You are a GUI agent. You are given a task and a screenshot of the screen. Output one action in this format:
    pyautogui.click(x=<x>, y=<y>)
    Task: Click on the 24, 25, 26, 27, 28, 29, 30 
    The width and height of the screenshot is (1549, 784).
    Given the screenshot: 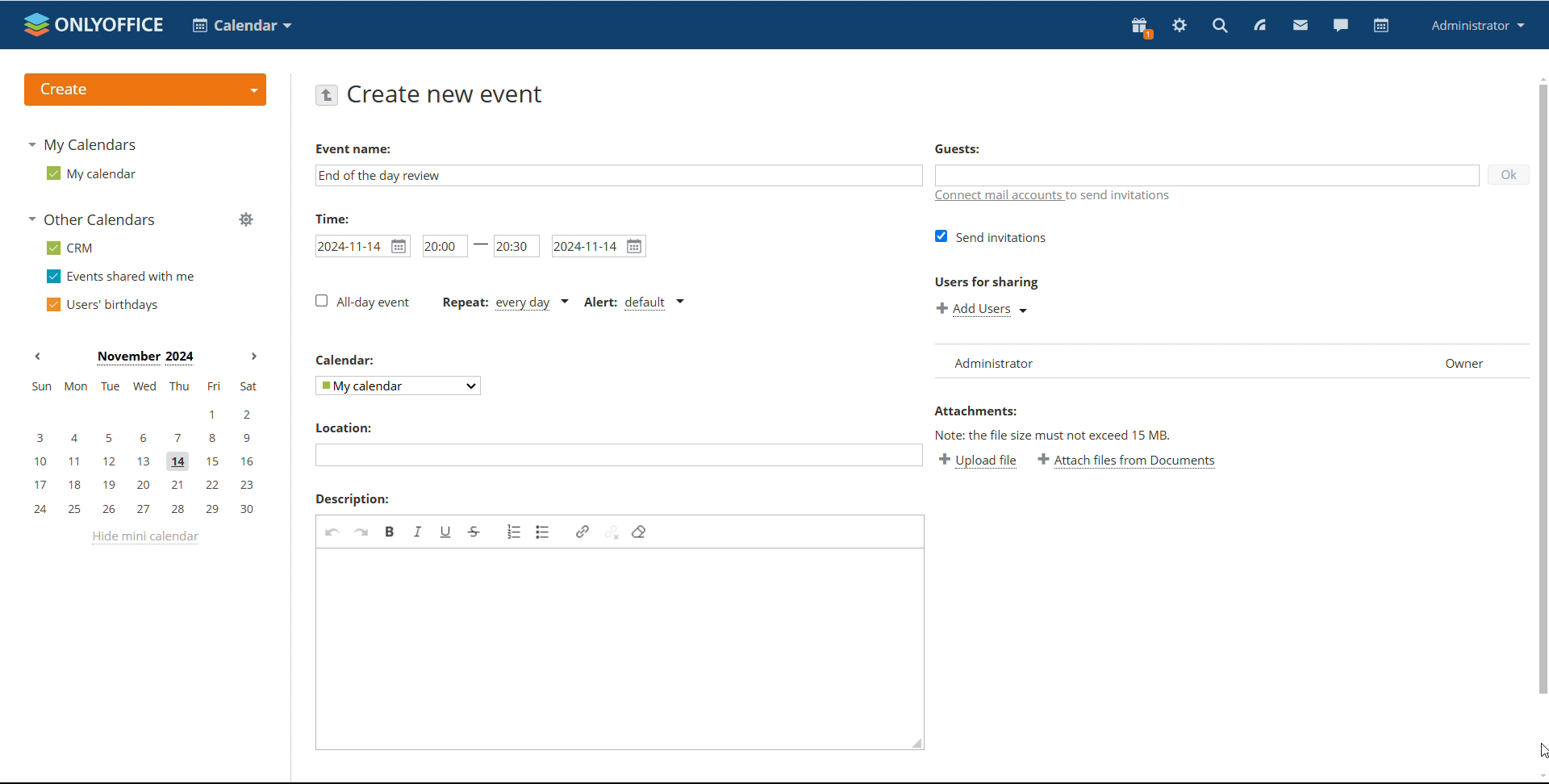 What is the action you would take?
    pyautogui.click(x=148, y=510)
    